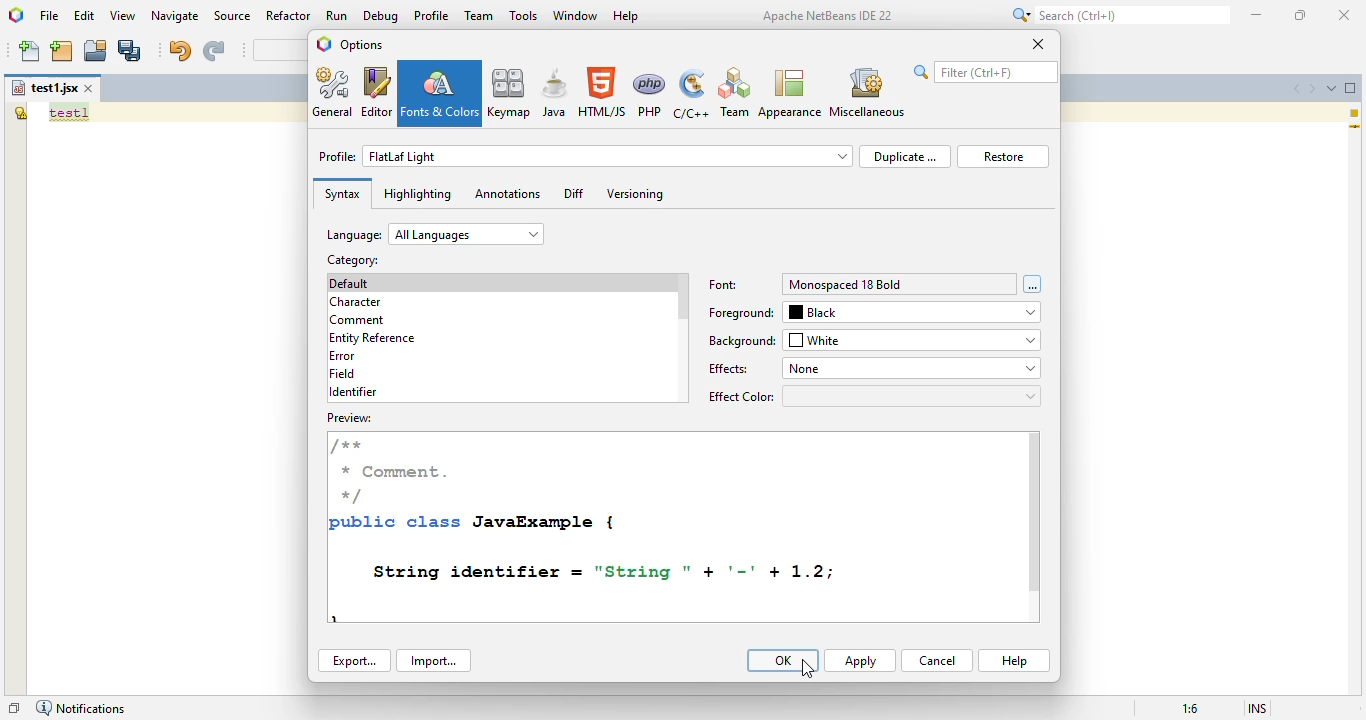 Image resolution: width=1366 pixels, height=720 pixels. I want to click on HTML/JS, so click(603, 92).